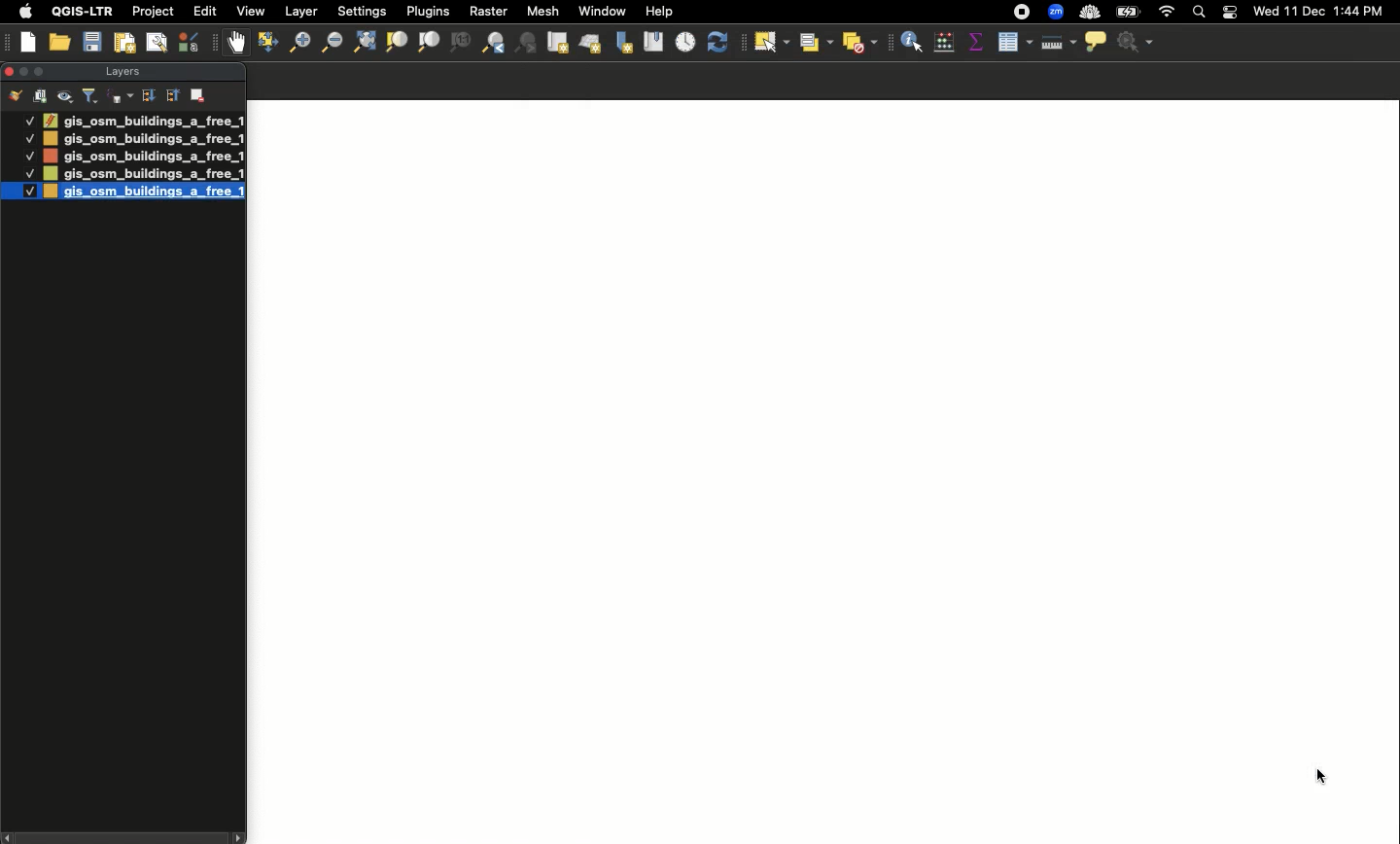  I want to click on 1:1, so click(459, 43).